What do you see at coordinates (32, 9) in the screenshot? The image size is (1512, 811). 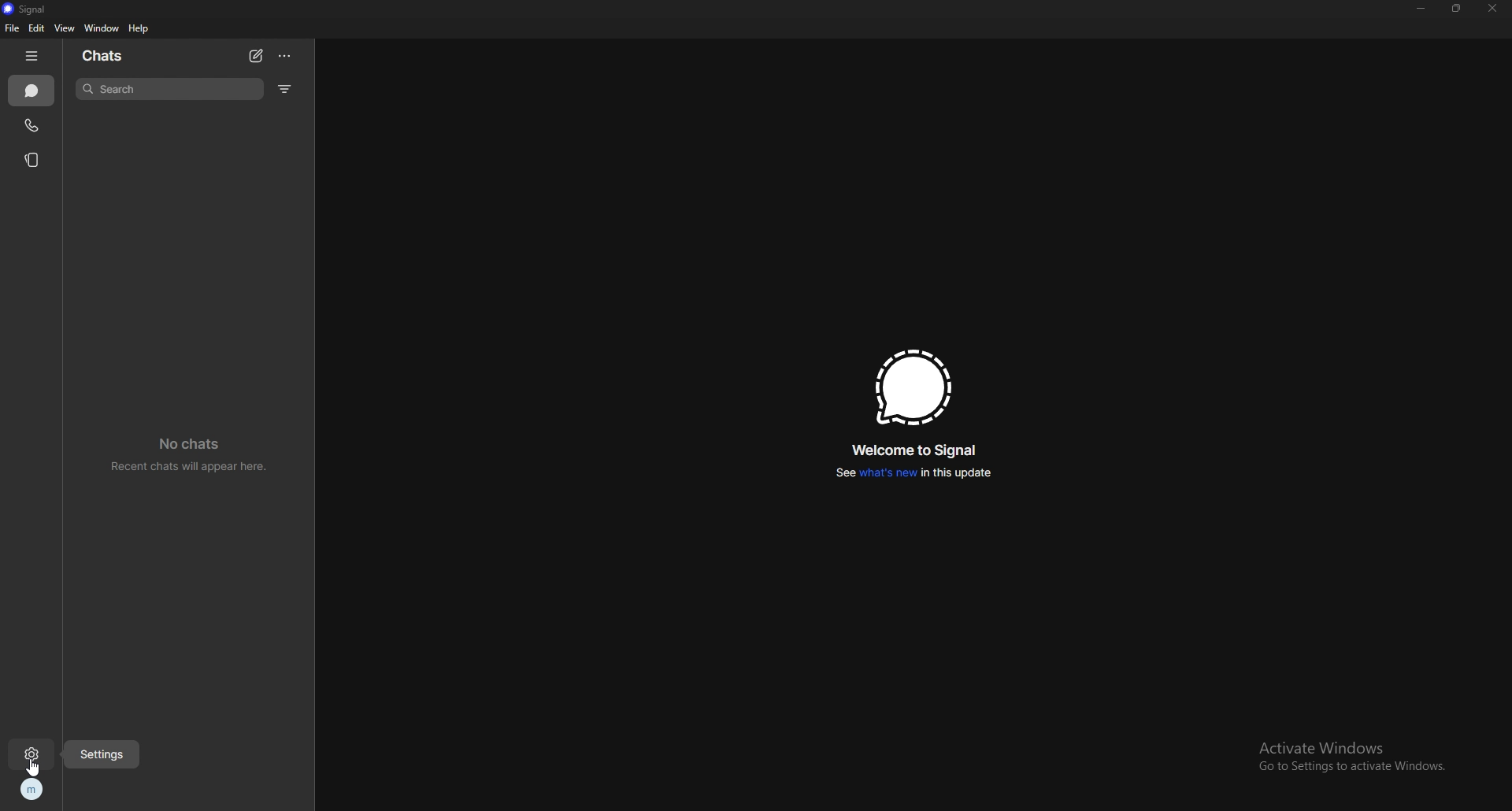 I see `signal` at bounding box center [32, 9].